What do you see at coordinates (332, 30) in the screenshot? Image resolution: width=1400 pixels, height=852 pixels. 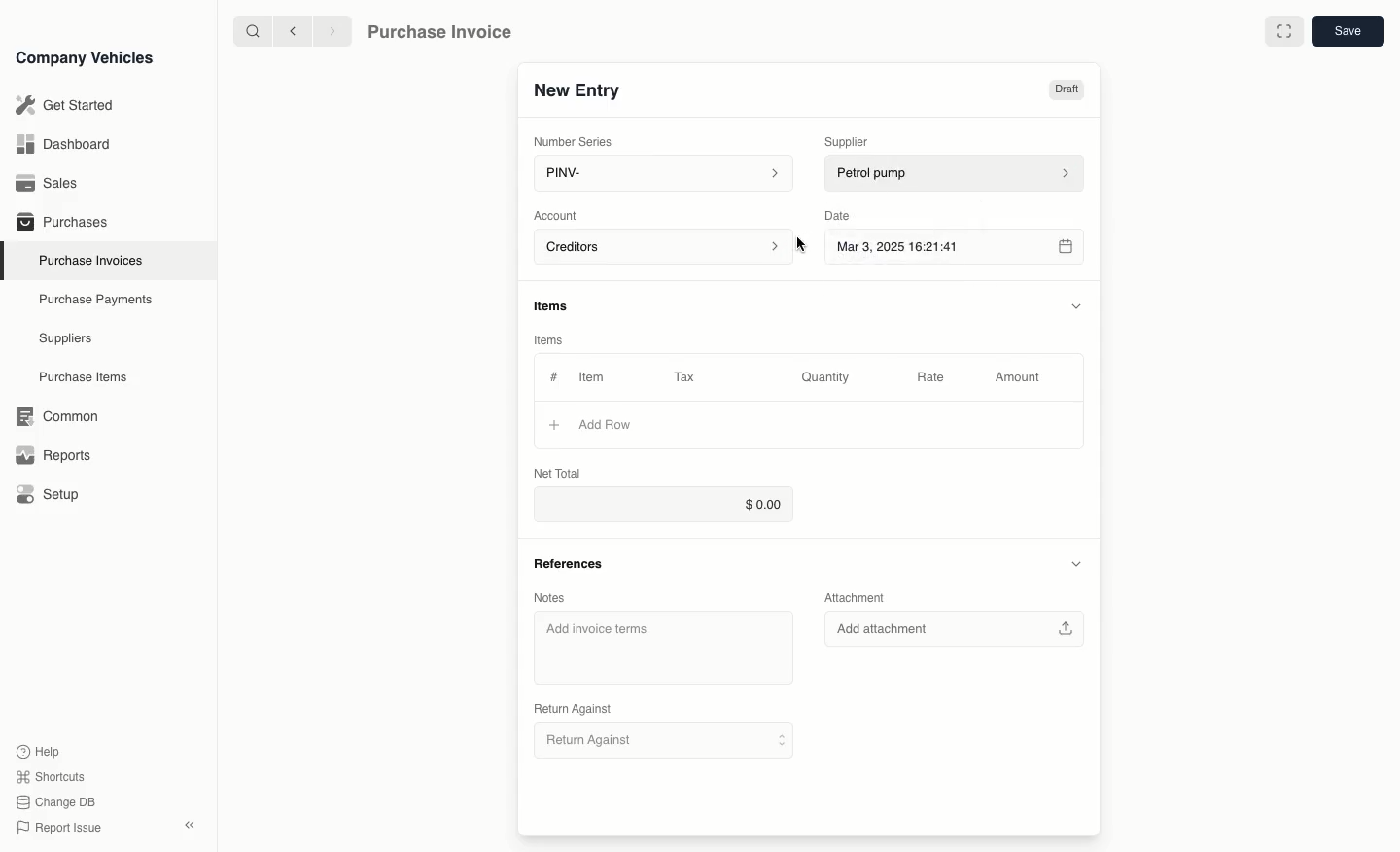 I see `next` at bounding box center [332, 30].